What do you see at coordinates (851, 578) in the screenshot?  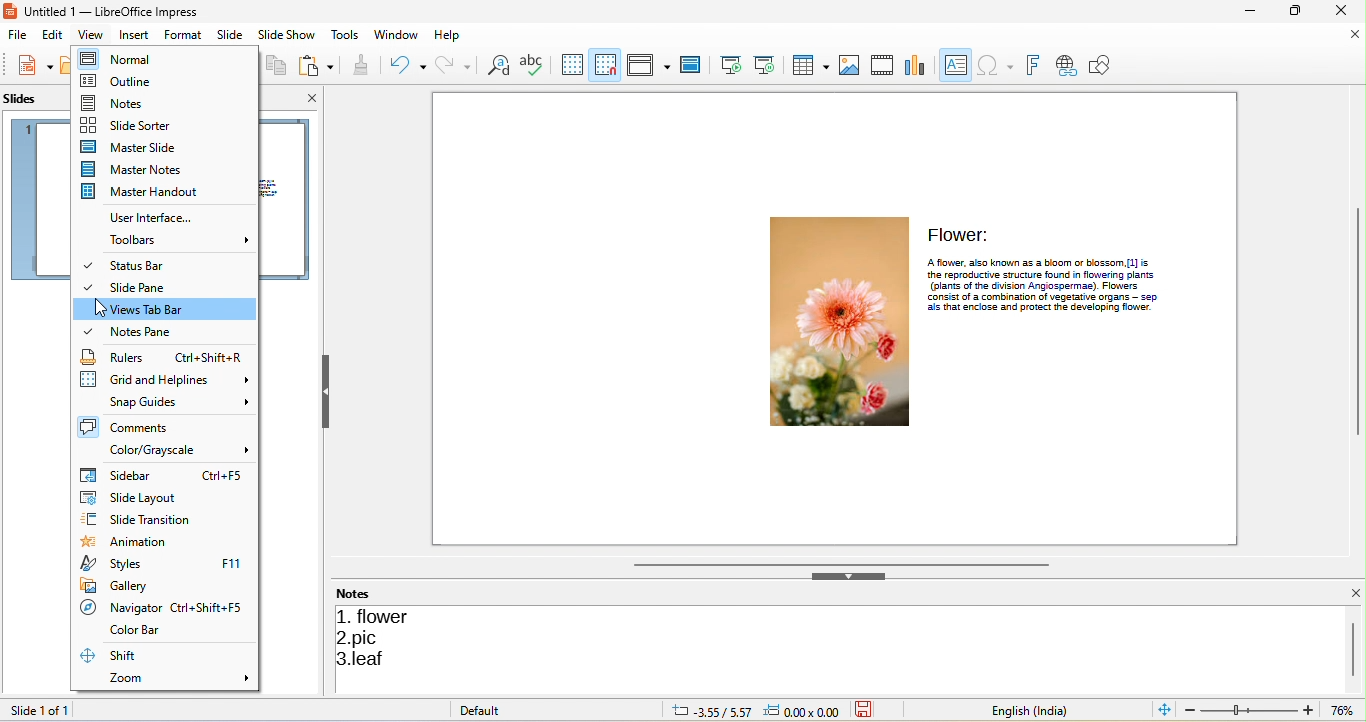 I see `hide bottom sidebar` at bounding box center [851, 578].